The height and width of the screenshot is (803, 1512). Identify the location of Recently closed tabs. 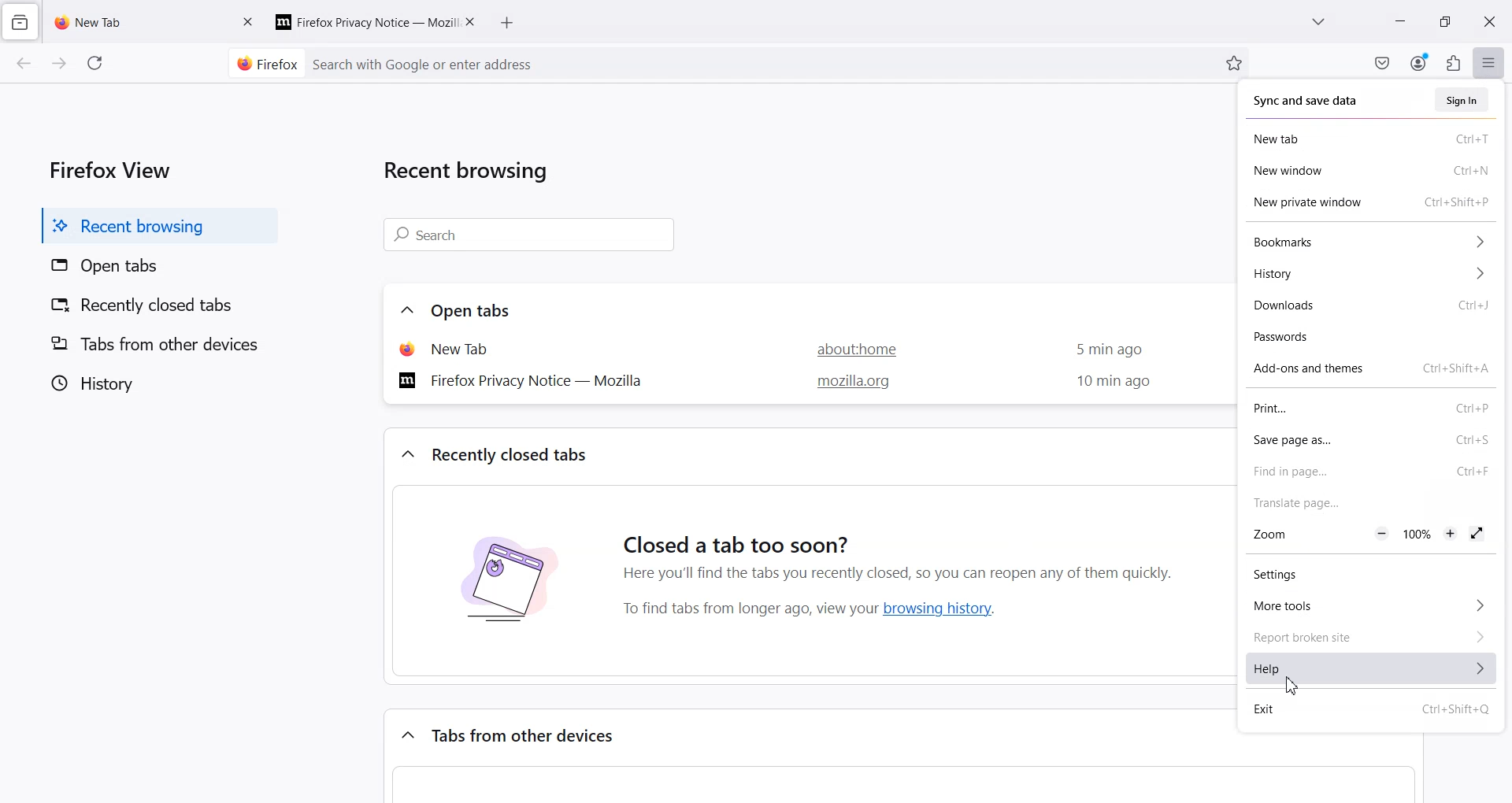
(513, 454).